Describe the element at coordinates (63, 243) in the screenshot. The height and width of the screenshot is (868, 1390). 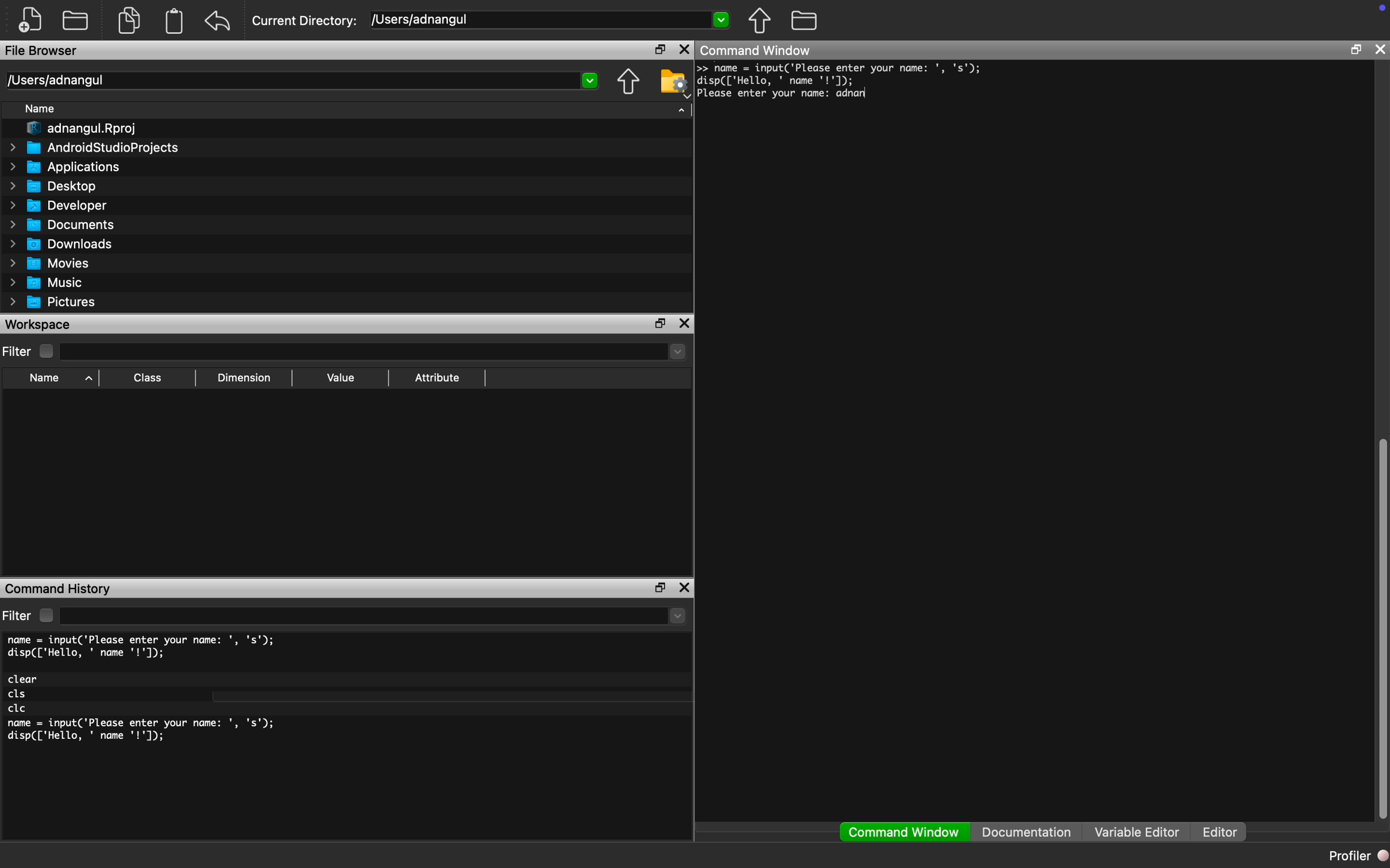
I see `Downloads` at that location.